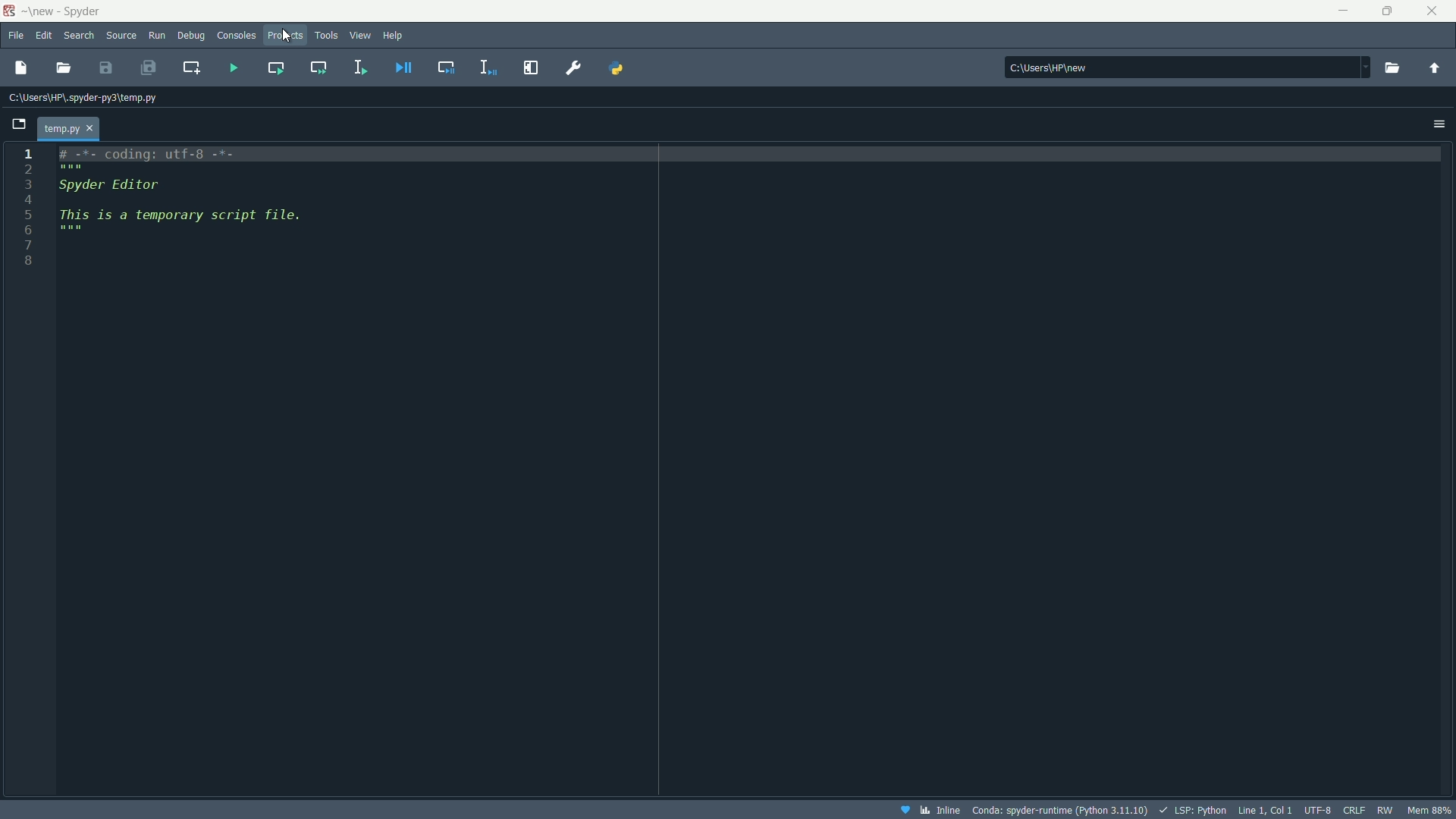 Image resolution: width=1456 pixels, height=819 pixels. Describe the element at coordinates (362, 68) in the screenshot. I see `Run selection or current line` at that location.